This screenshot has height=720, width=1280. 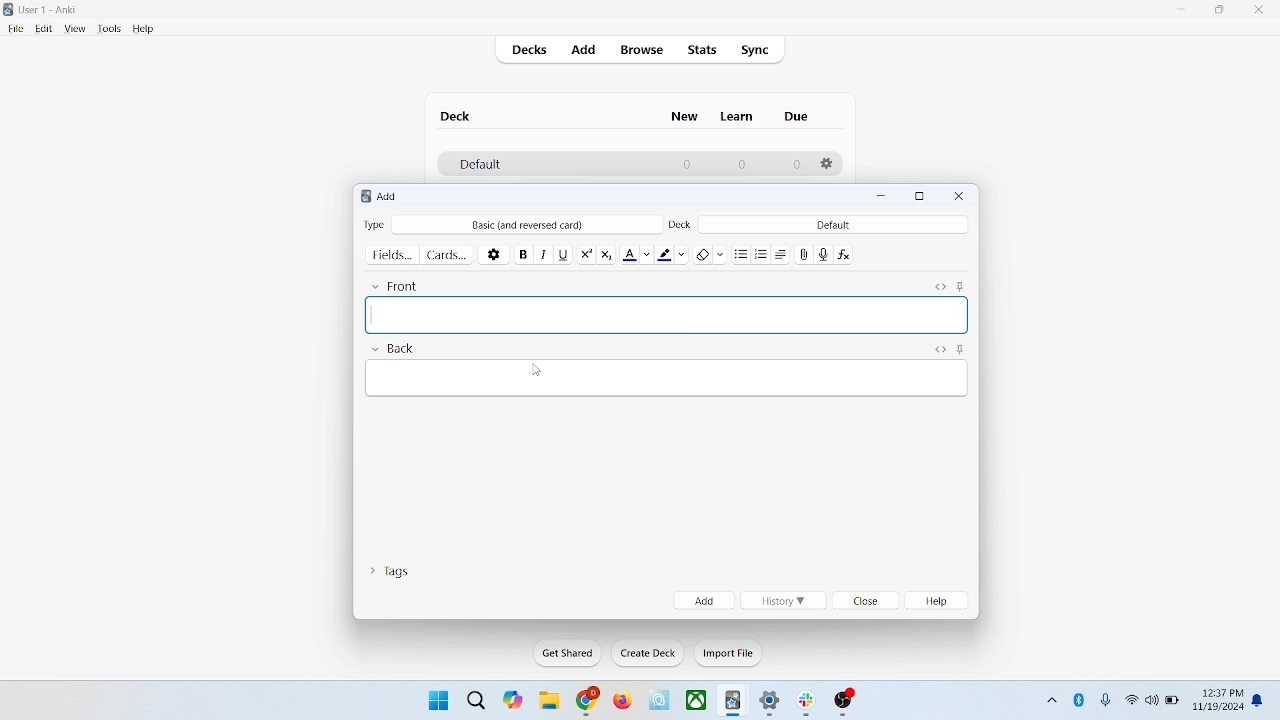 What do you see at coordinates (729, 653) in the screenshot?
I see `import file` at bounding box center [729, 653].